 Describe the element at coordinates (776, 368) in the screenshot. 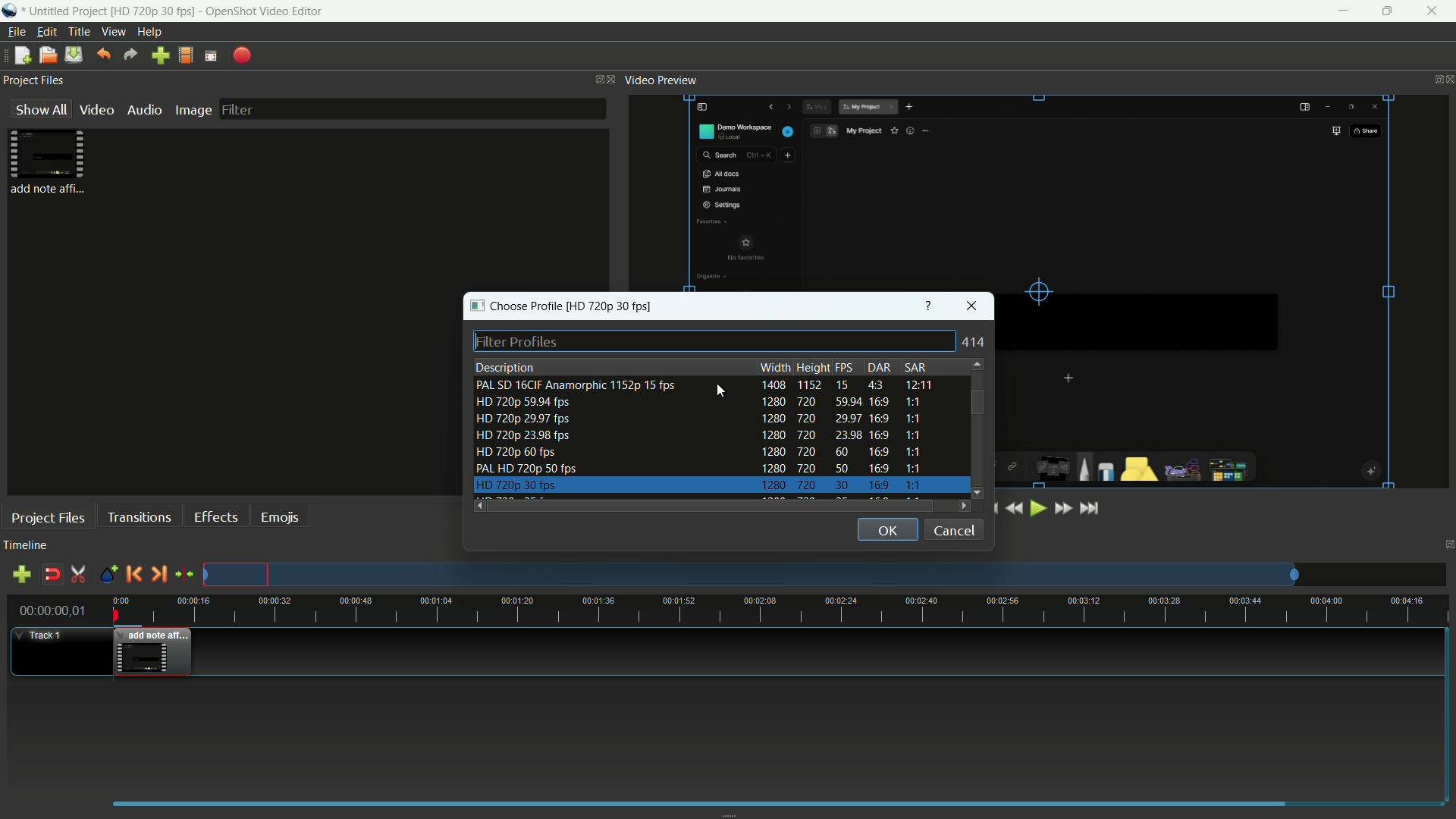

I see `width` at that location.